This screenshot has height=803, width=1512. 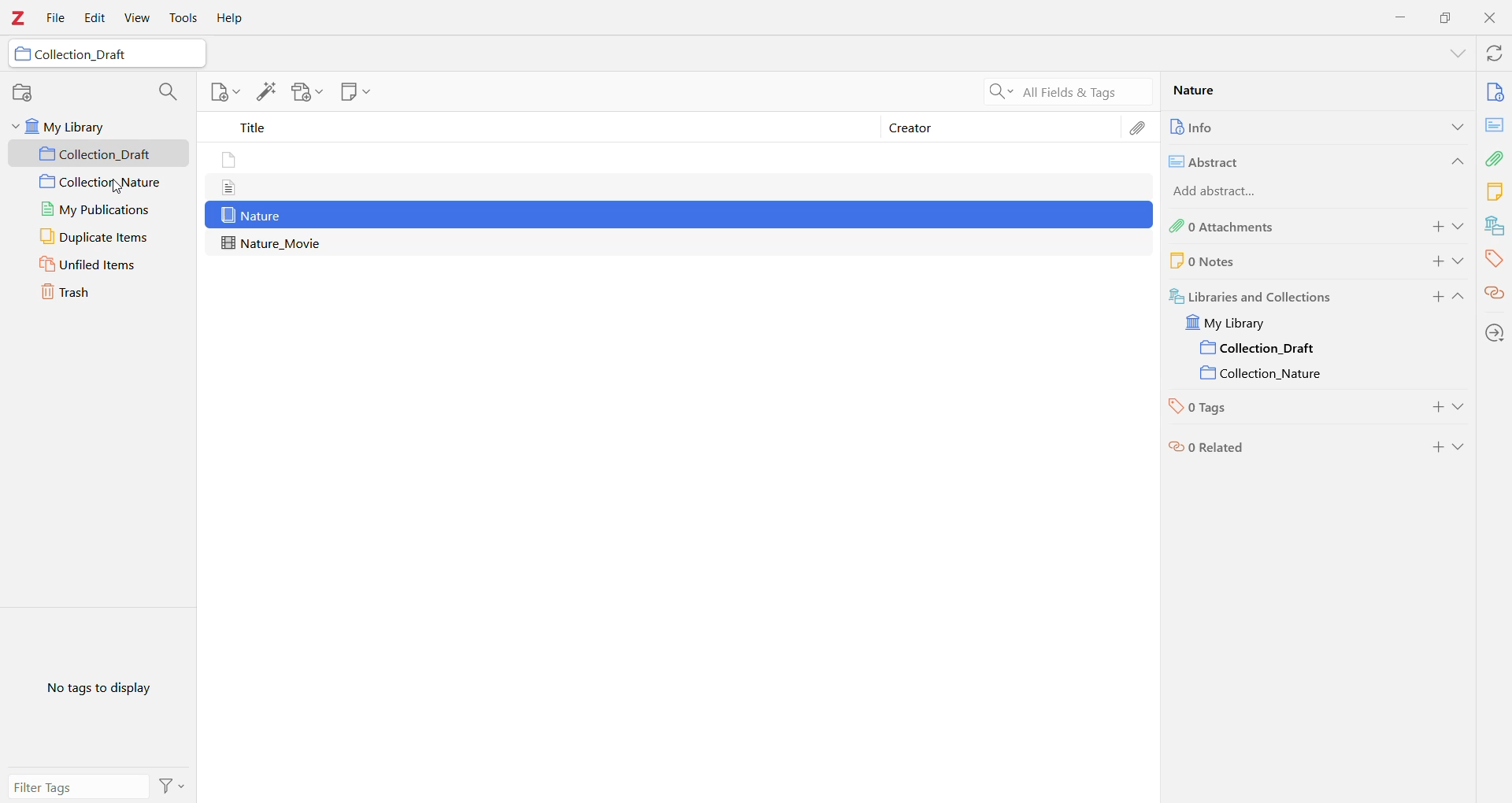 What do you see at coordinates (1495, 91) in the screenshot?
I see `Info` at bounding box center [1495, 91].